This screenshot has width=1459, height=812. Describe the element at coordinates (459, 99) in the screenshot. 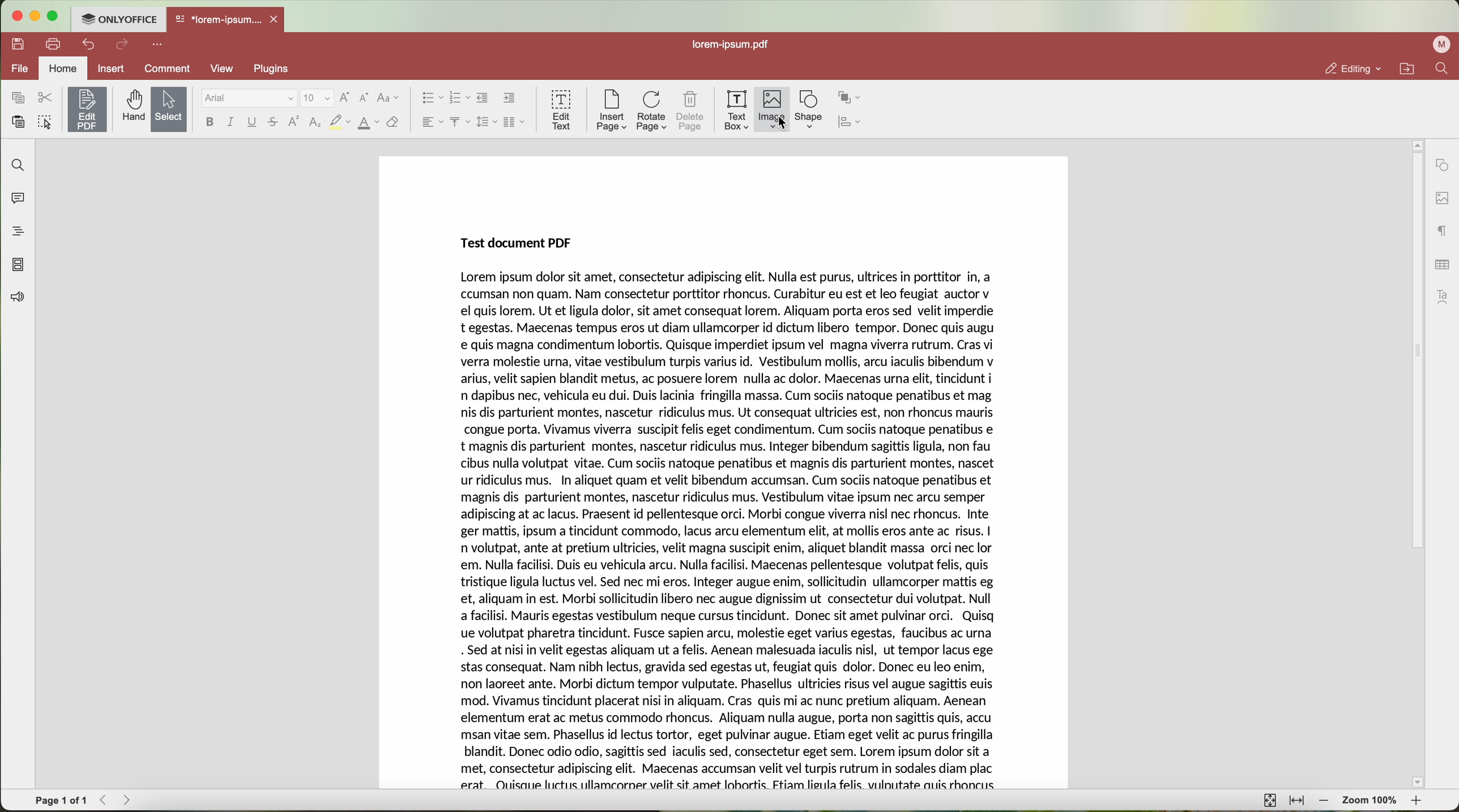

I see `numbering` at that location.